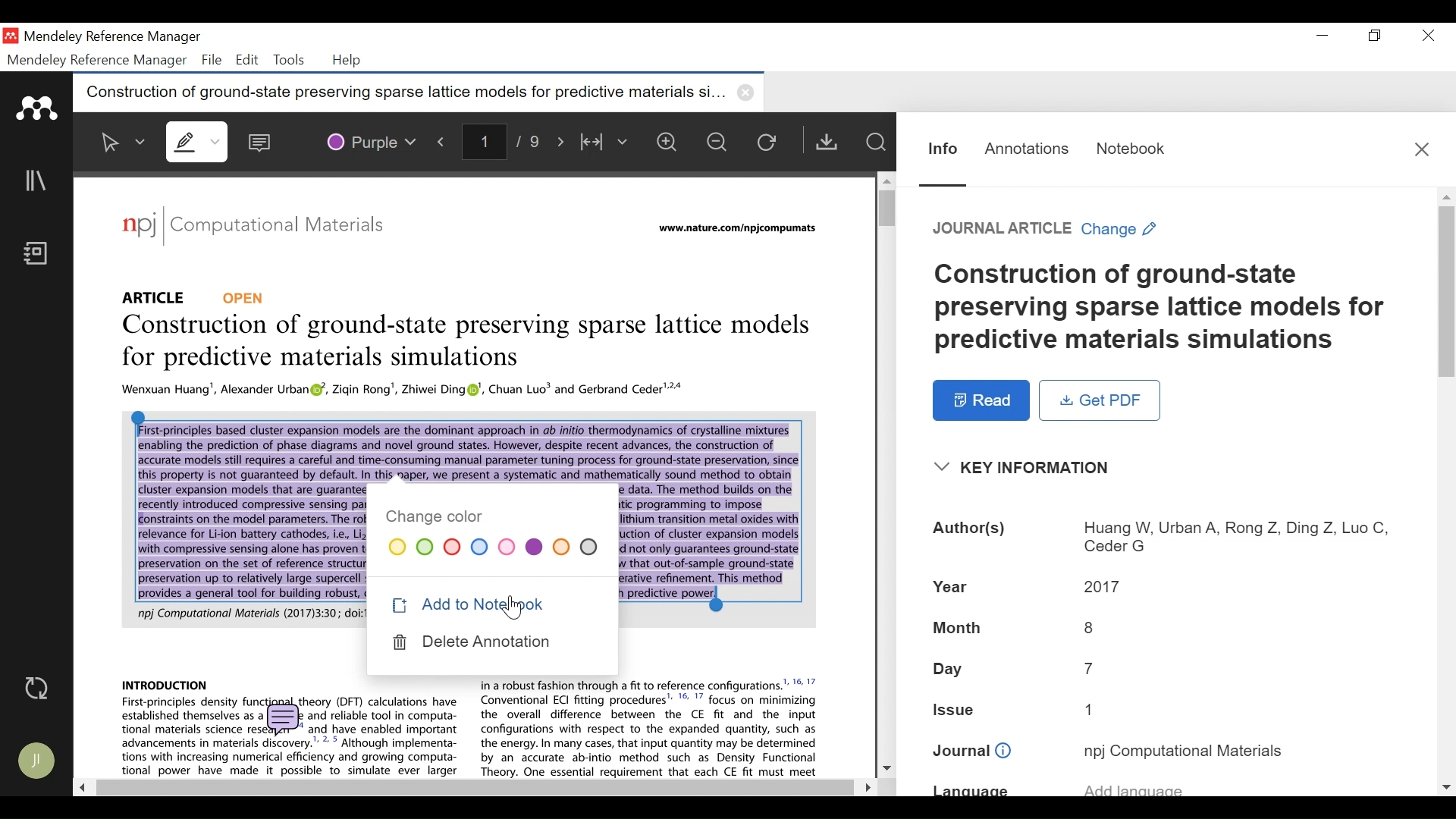 This screenshot has height=819, width=1456. I want to click on Mendeley Reference Manager, so click(98, 61).